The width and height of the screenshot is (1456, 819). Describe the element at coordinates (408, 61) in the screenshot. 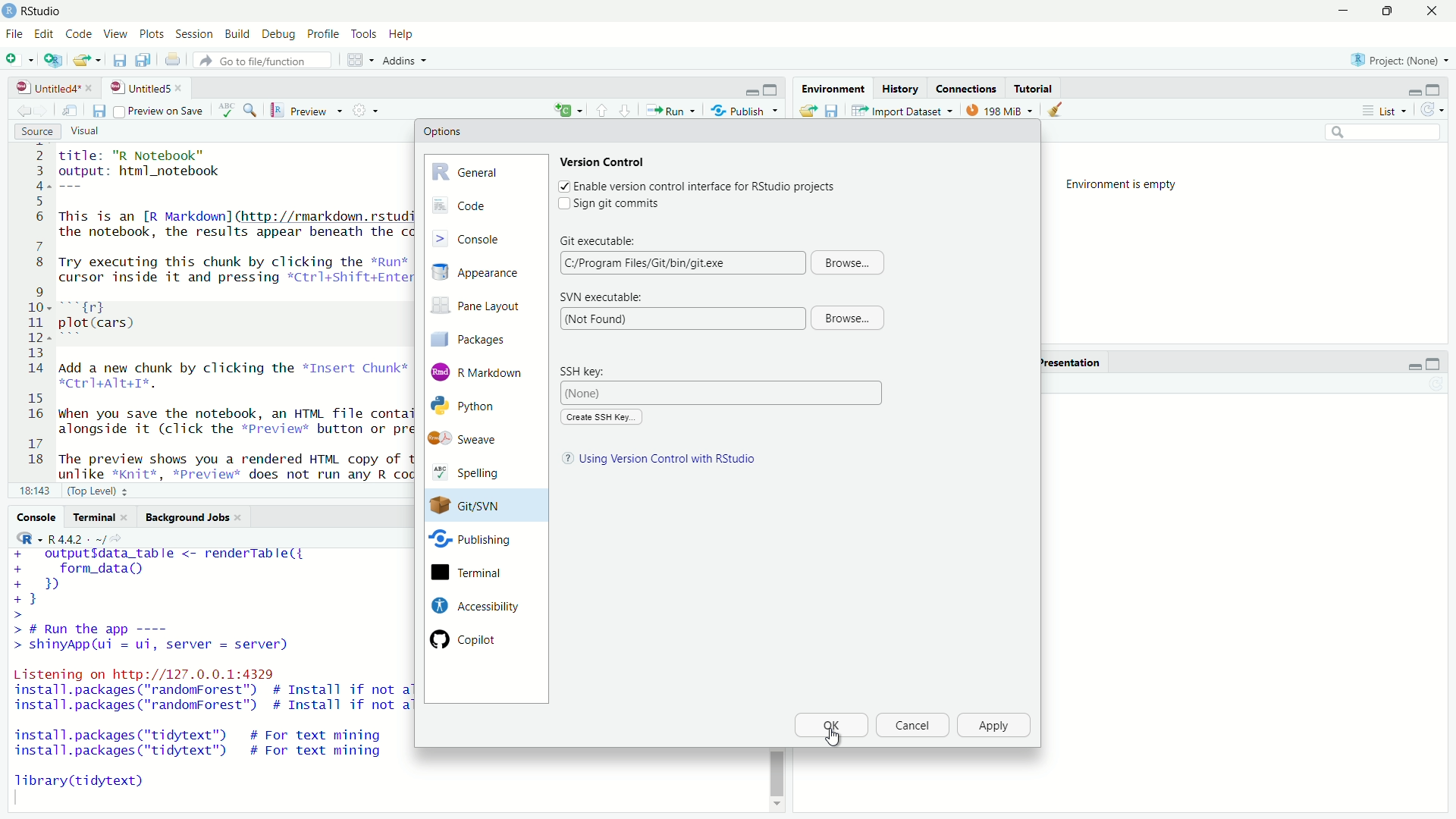

I see `Addins` at that location.